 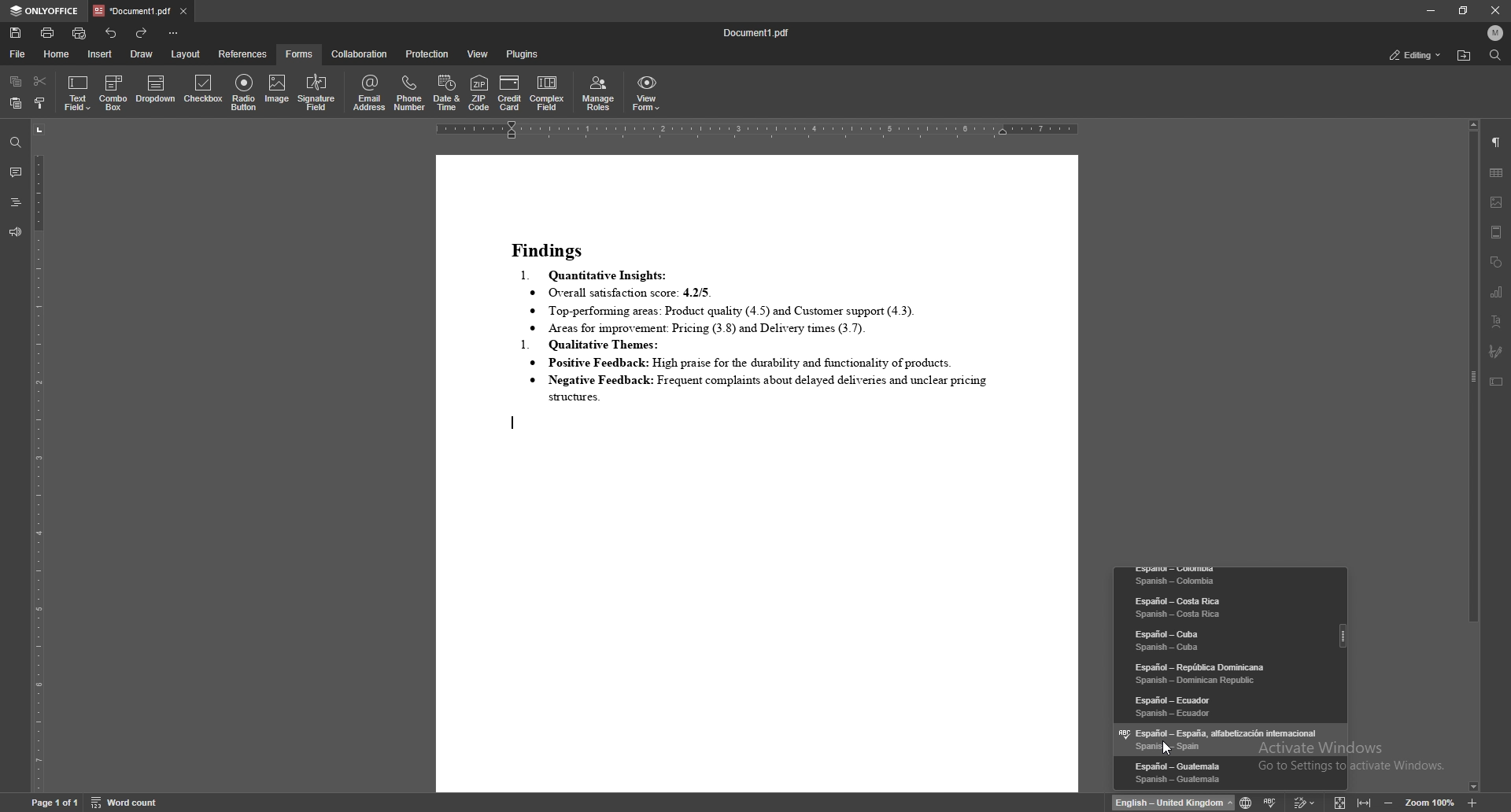 What do you see at coordinates (16, 103) in the screenshot?
I see `paste` at bounding box center [16, 103].